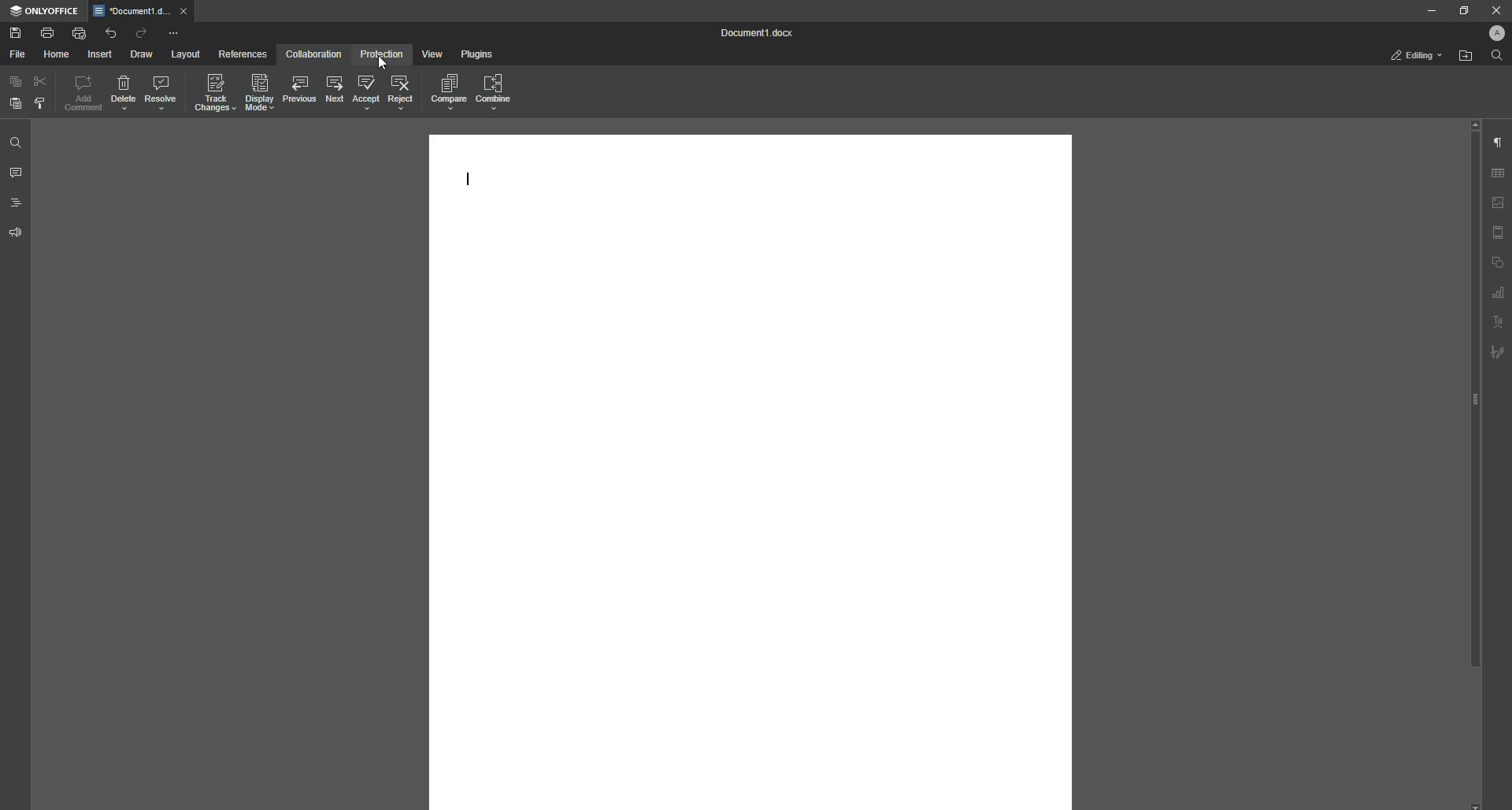  What do you see at coordinates (468, 179) in the screenshot?
I see `Text line` at bounding box center [468, 179].